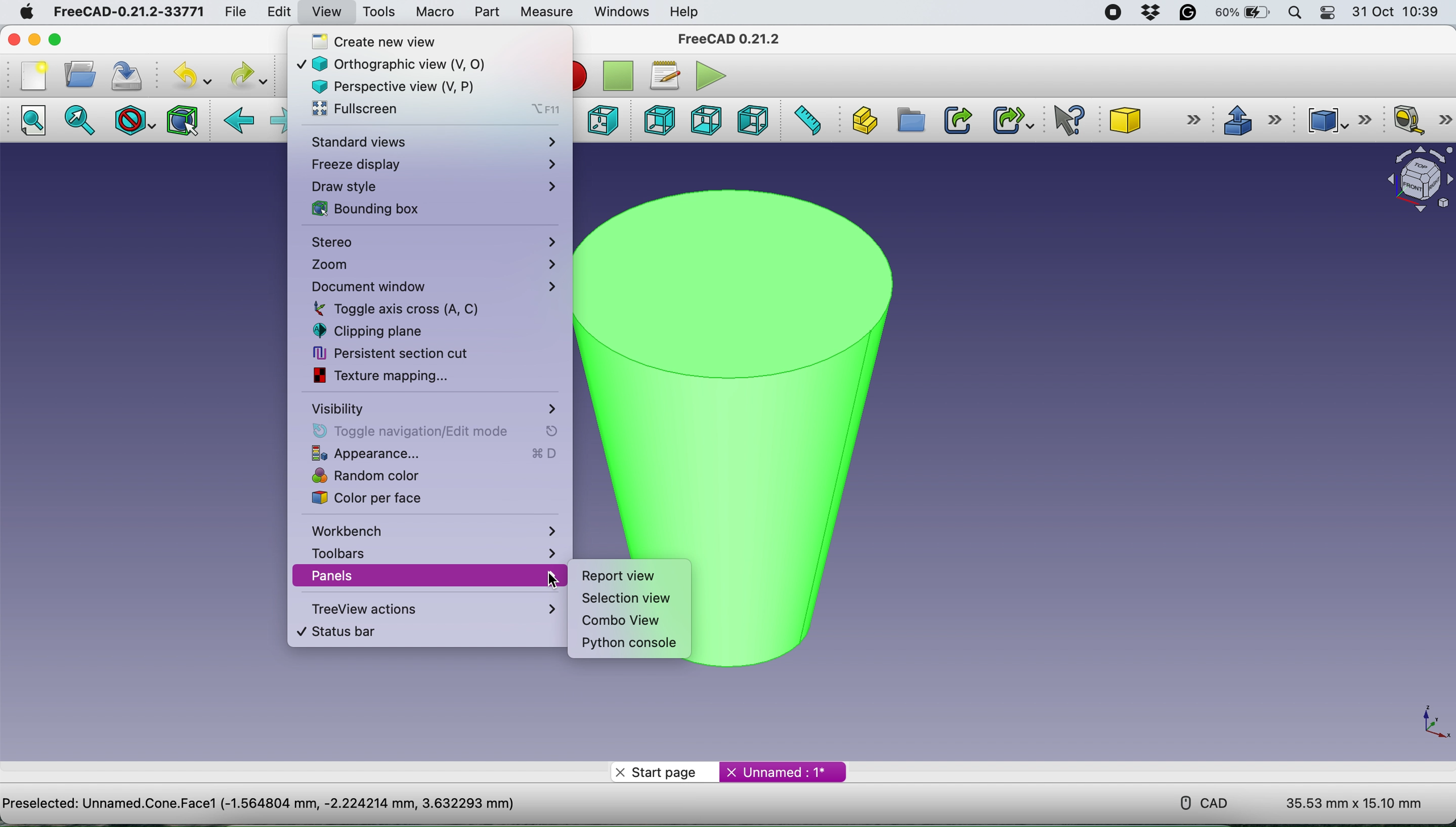  I want to click on xy scale, so click(1427, 722).